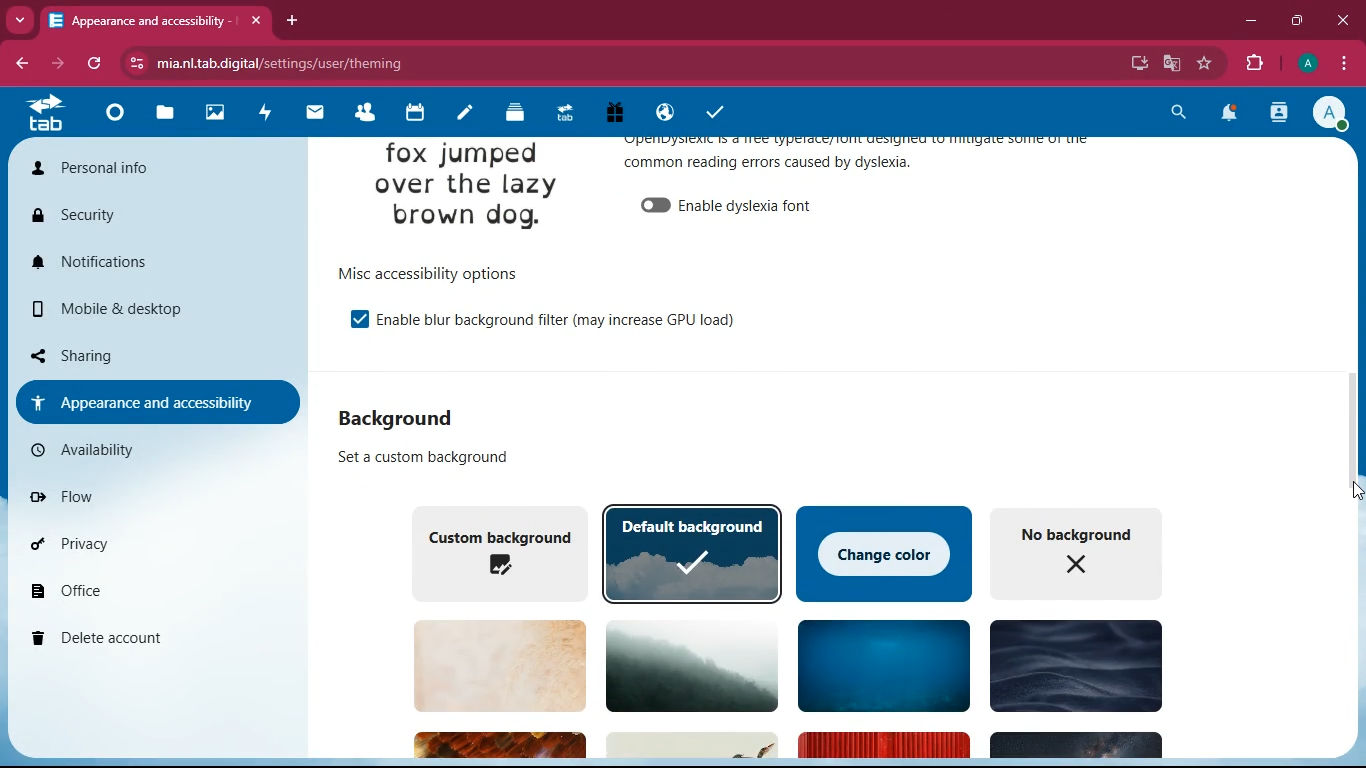 Image resolution: width=1366 pixels, height=768 pixels. Describe the element at coordinates (1077, 555) in the screenshot. I see `no` at that location.